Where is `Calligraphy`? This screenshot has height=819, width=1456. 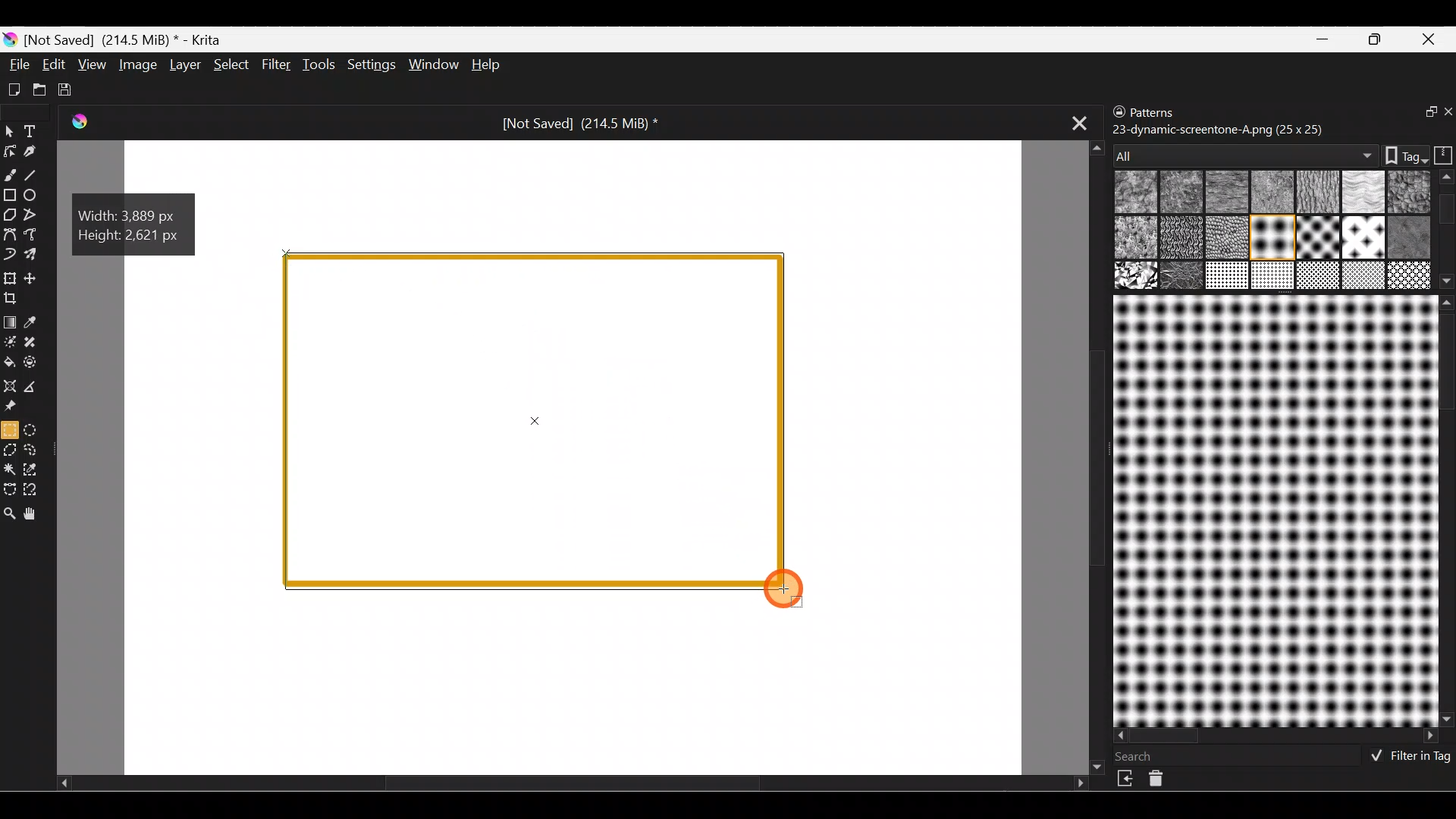 Calligraphy is located at coordinates (33, 151).